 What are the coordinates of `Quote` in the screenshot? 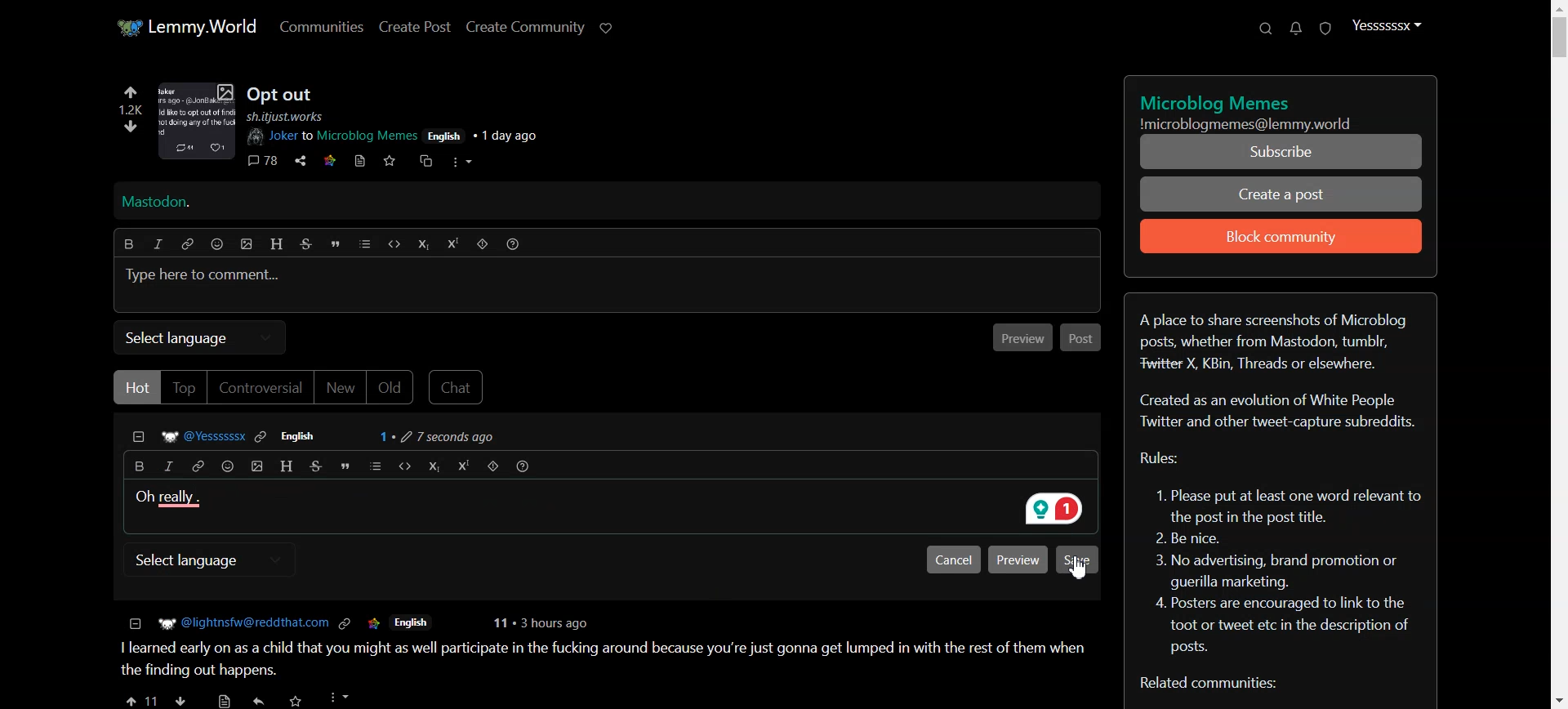 It's located at (336, 243).